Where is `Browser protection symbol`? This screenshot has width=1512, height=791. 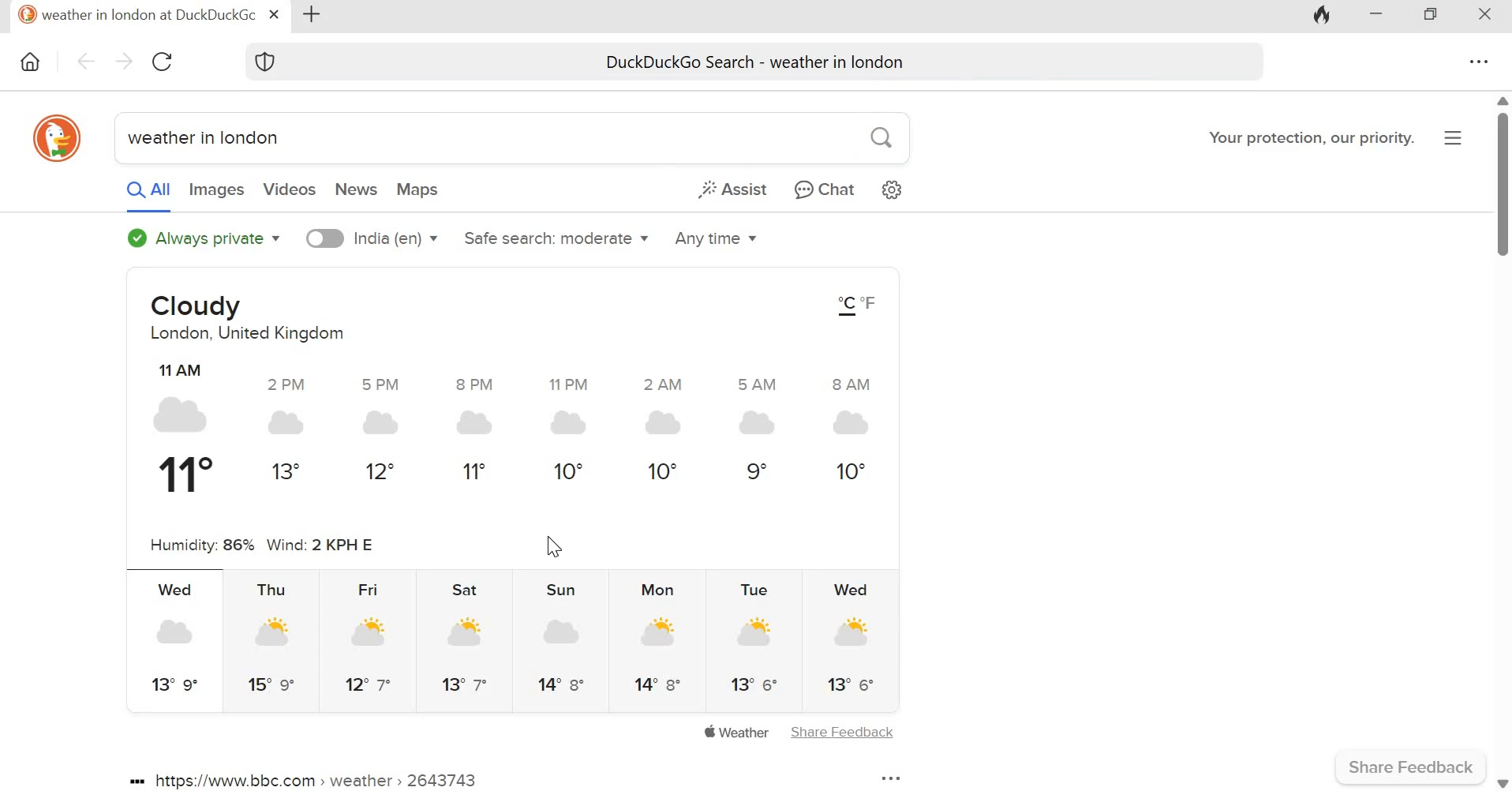 Browser protection symbol is located at coordinates (264, 62).